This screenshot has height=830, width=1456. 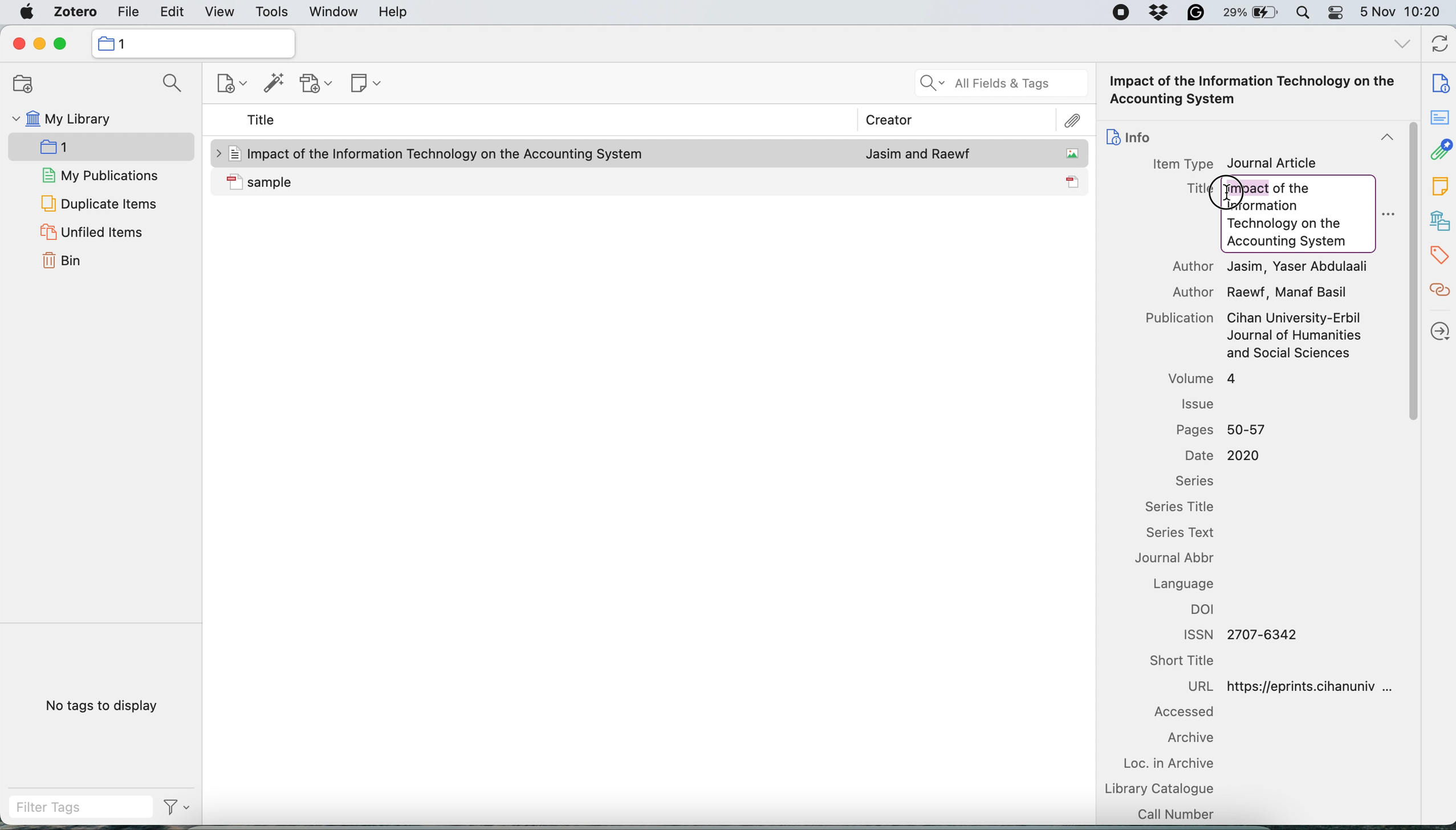 What do you see at coordinates (1195, 482) in the screenshot?
I see `series` at bounding box center [1195, 482].